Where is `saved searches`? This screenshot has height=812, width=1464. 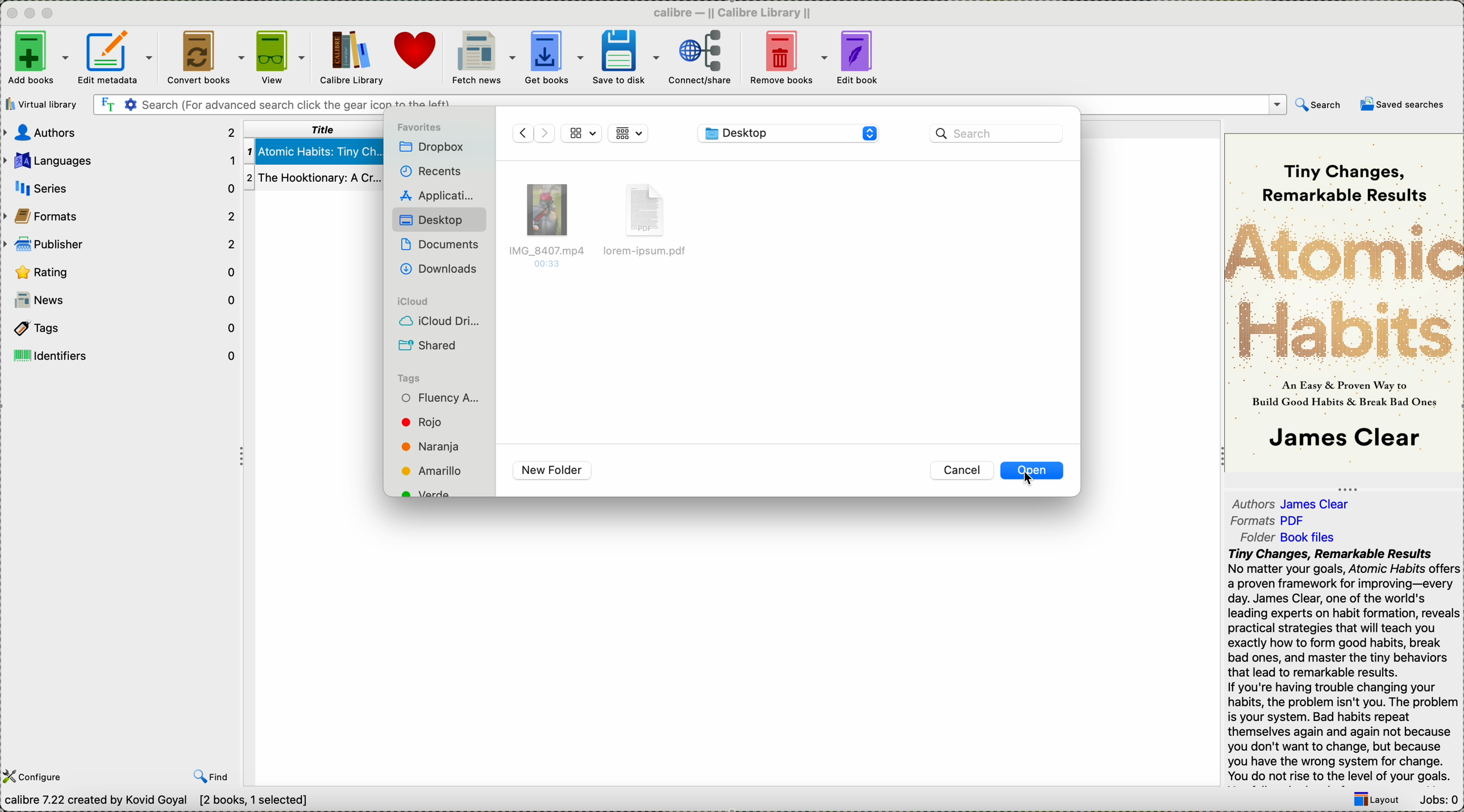 saved searches is located at coordinates (1403, 107).